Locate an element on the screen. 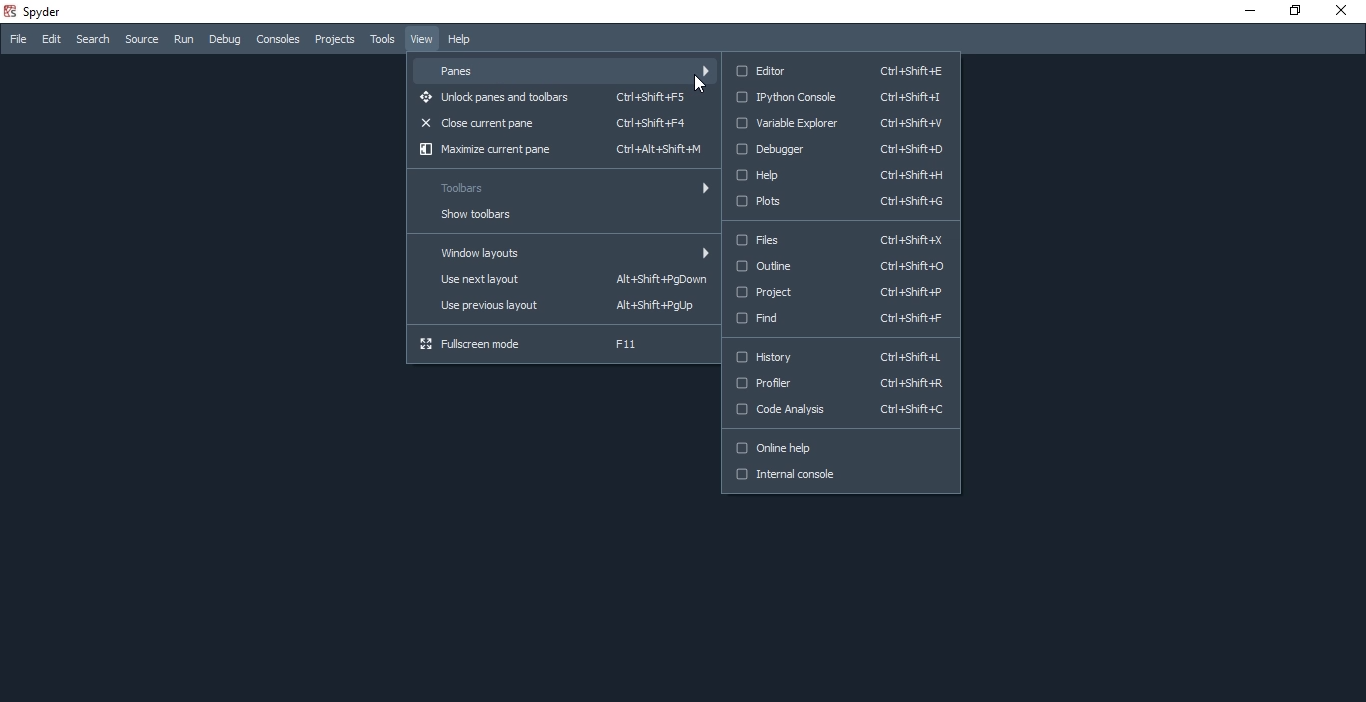 The image size is (1366, 702). Internal console is located at coordinates (842, 480).